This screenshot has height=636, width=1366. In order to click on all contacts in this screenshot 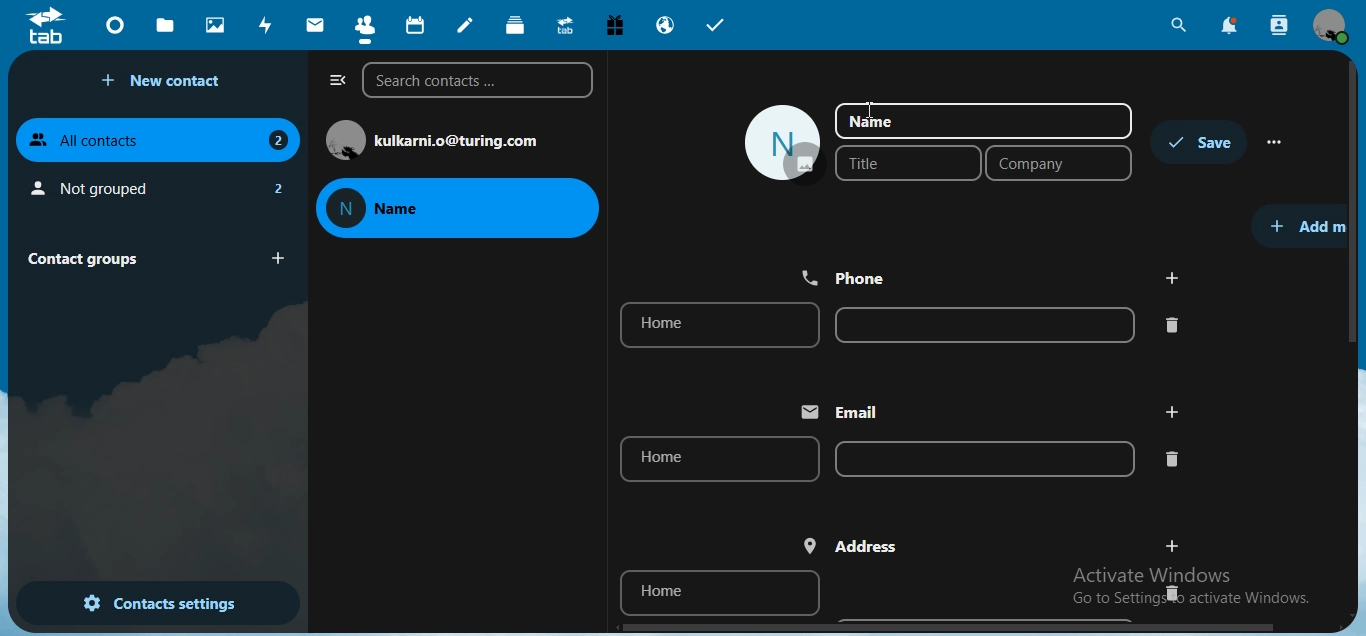, I will do `click(155, 141)`.